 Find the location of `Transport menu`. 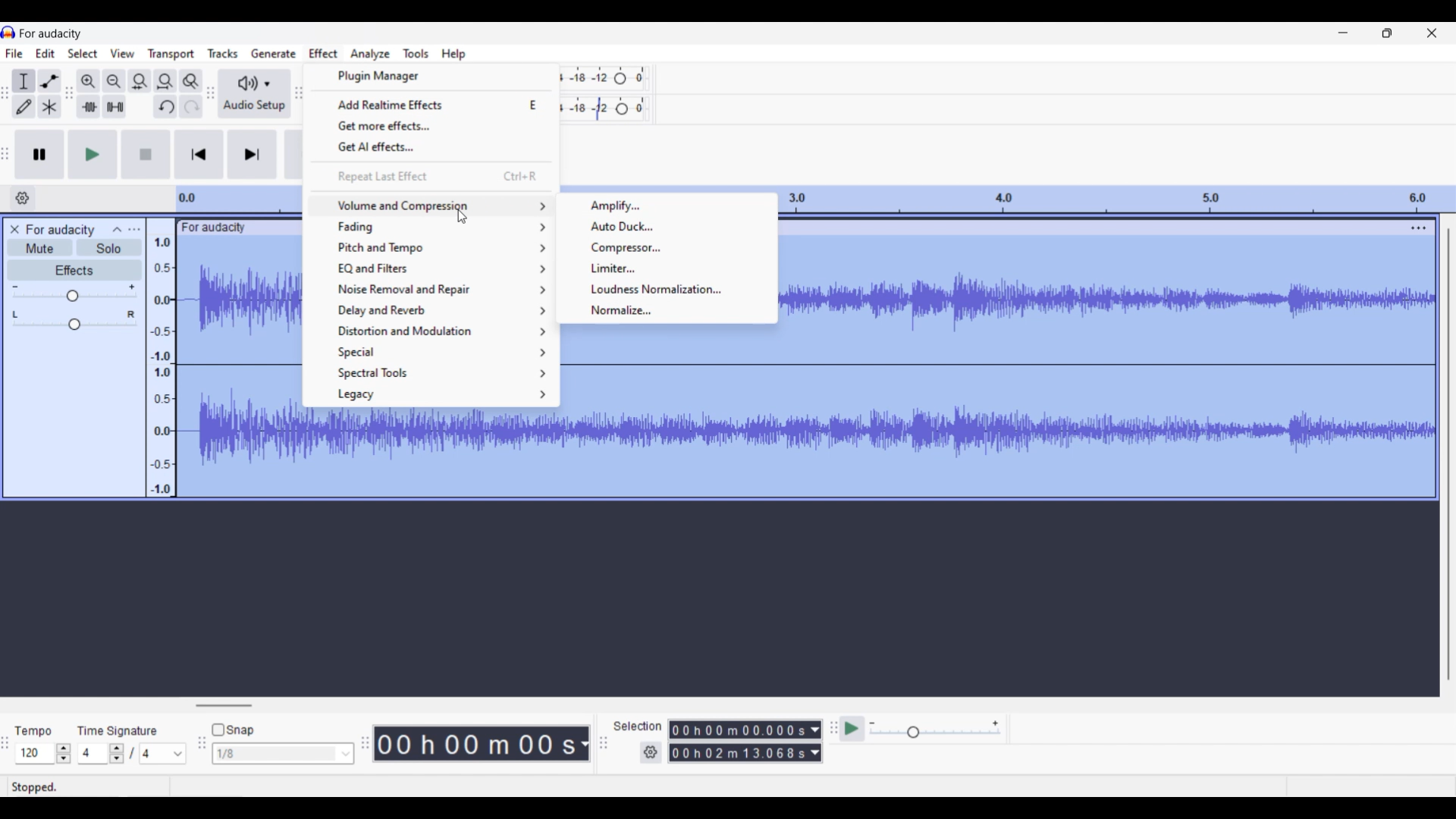

Transport menu is located at coordinates (171, 55).